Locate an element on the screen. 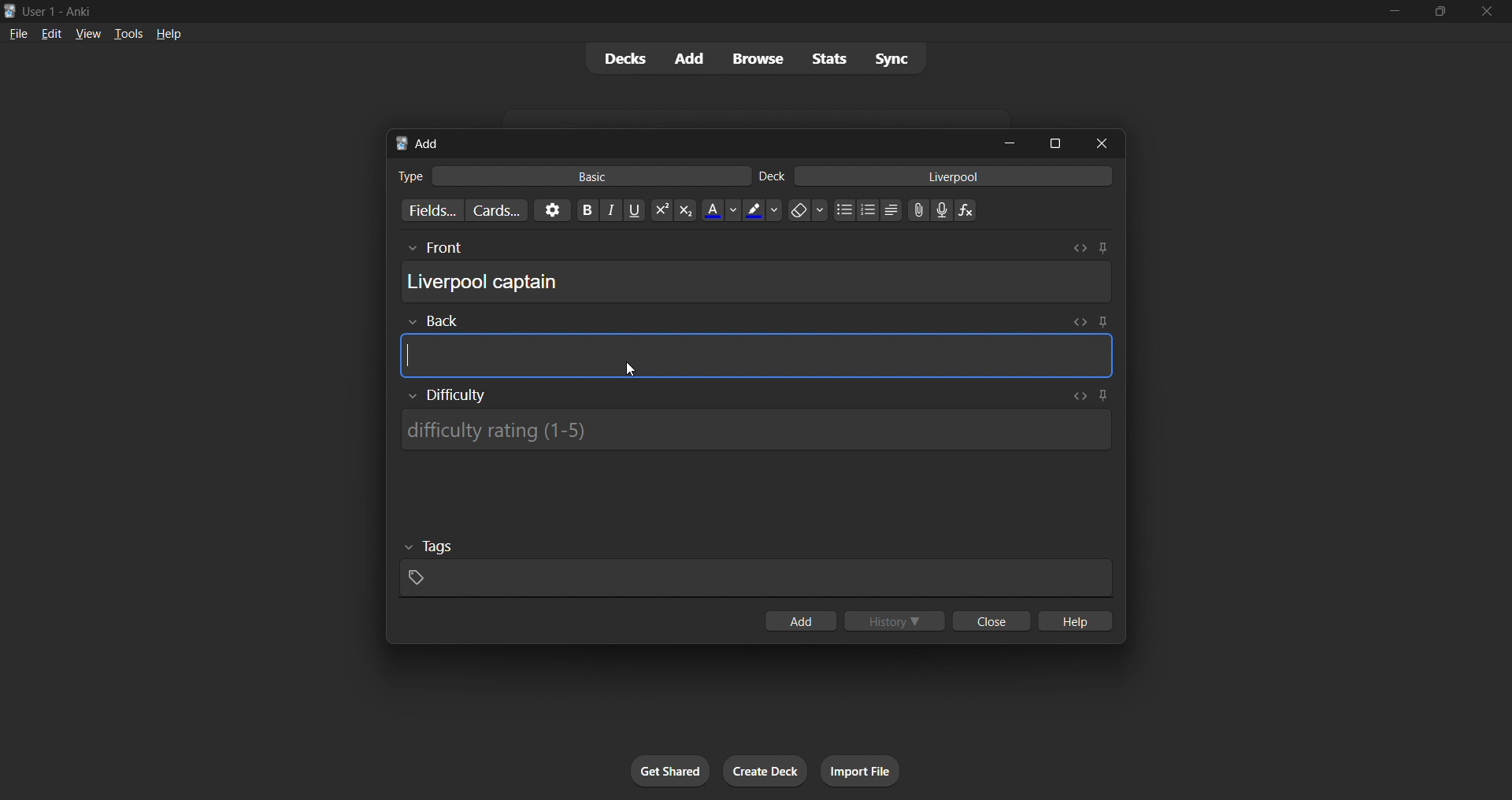 The width and height of the screenshot is (1512, 800).  is located at coordinates (430, 547).